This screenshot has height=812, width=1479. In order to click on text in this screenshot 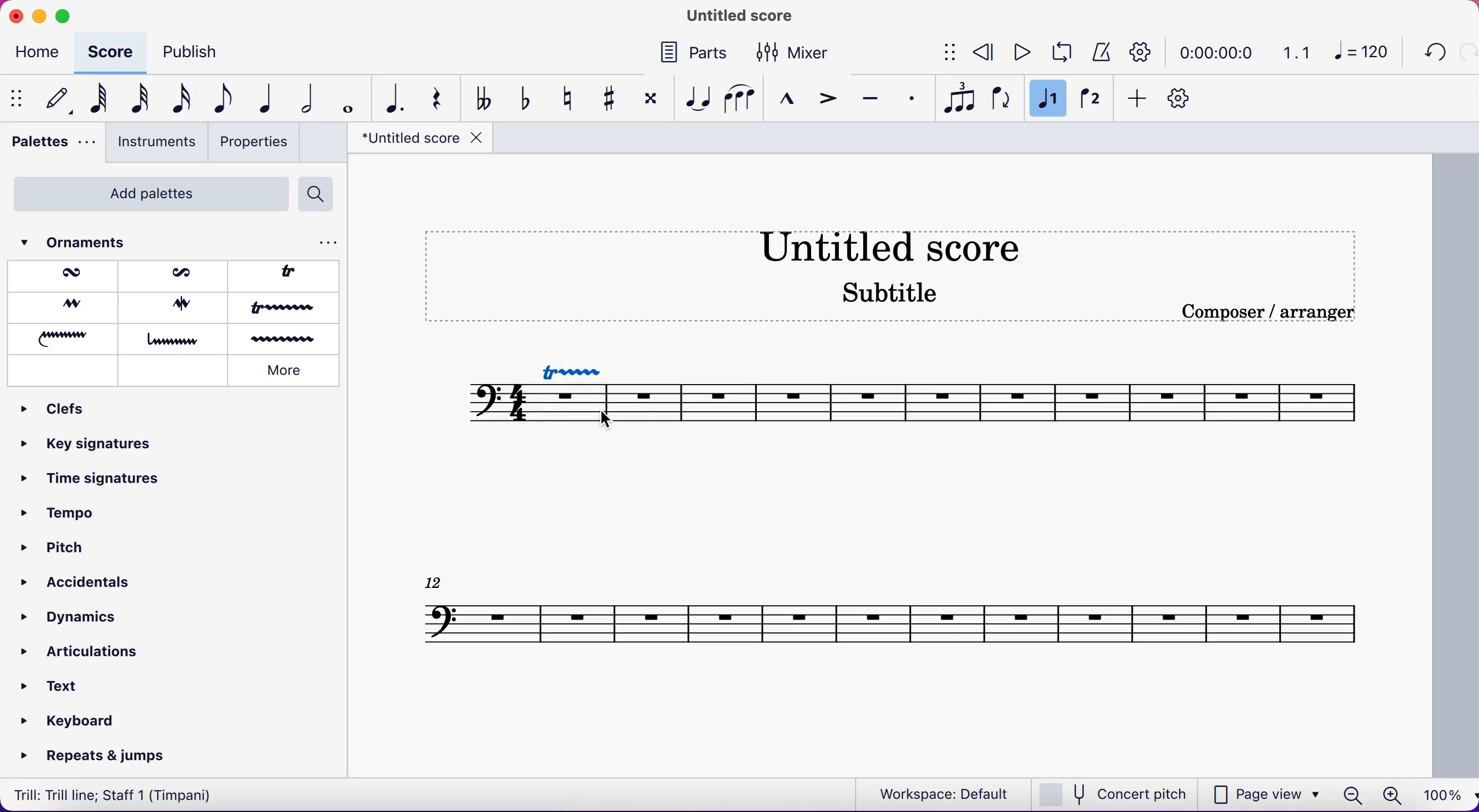, I will do `click(64, 683)`.